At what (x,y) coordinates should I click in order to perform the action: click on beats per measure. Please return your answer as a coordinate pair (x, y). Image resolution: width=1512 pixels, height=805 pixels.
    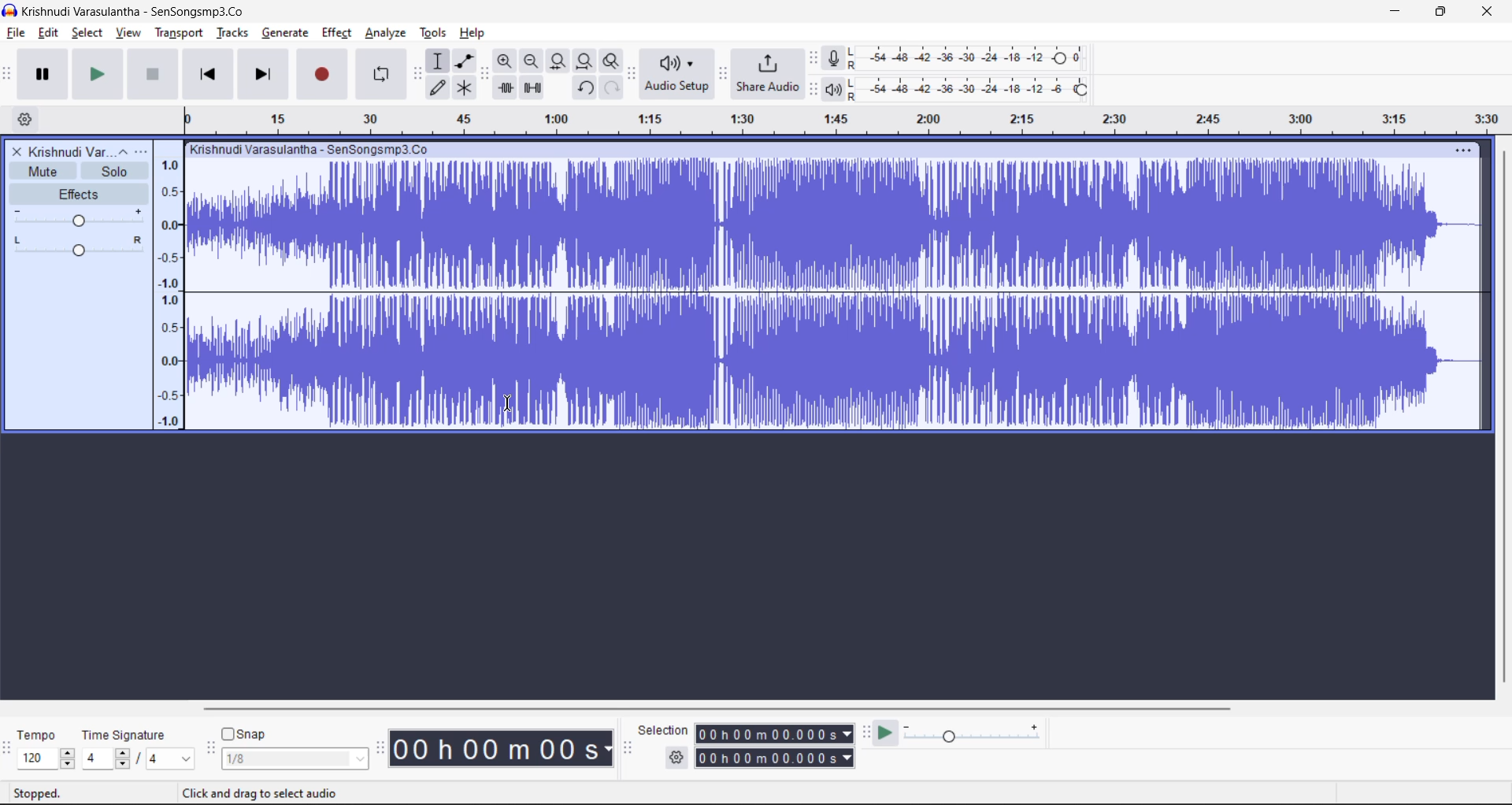
    Looking at the image, I should click on (138, 757).